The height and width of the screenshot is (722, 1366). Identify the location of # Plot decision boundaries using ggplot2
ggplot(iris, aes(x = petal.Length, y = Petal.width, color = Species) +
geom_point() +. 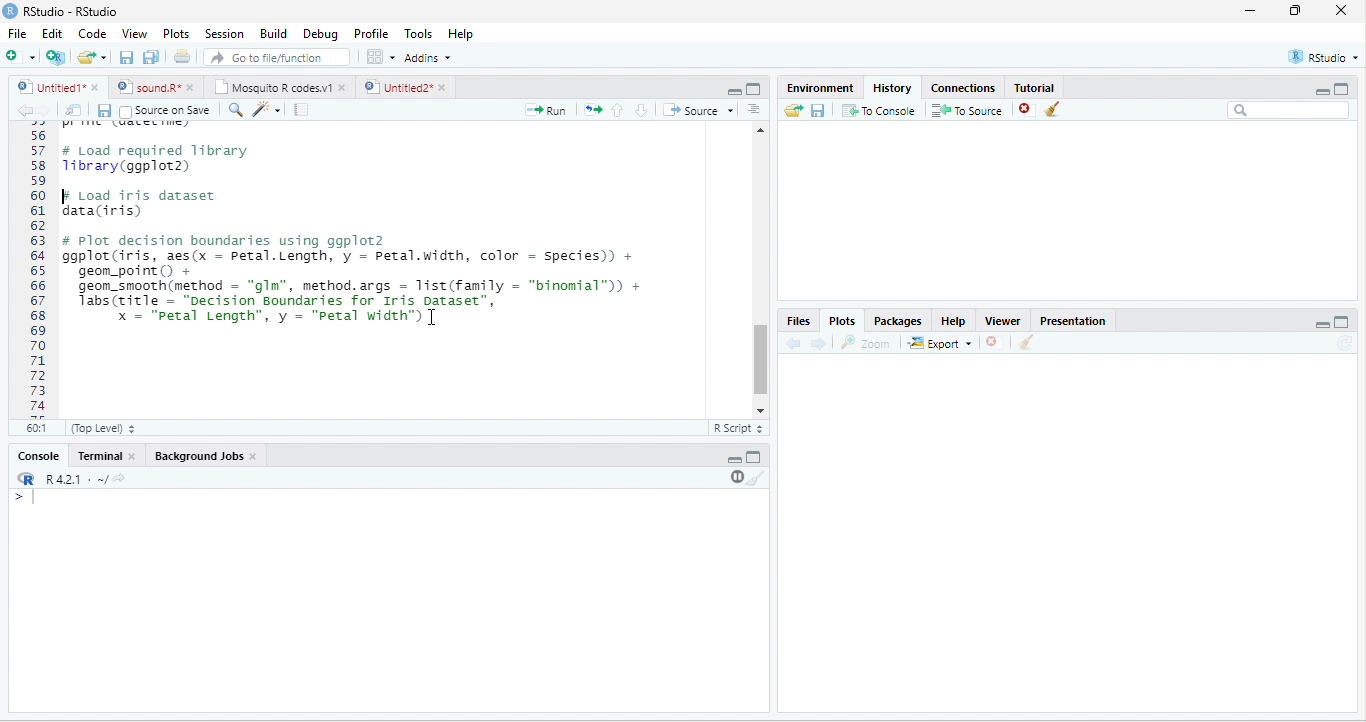
(349, 255).